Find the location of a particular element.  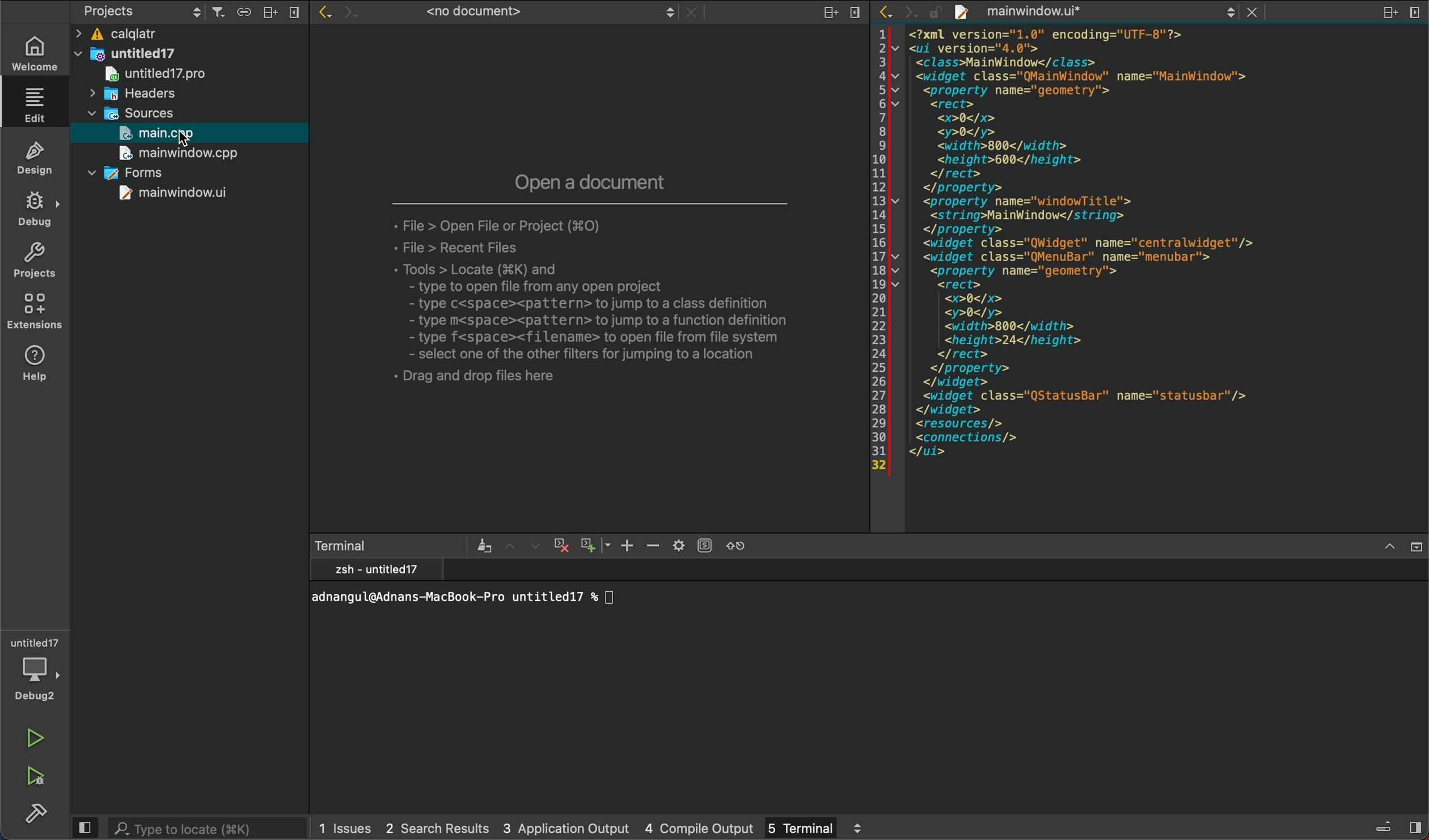

sources is located at coordinates (124, 115).